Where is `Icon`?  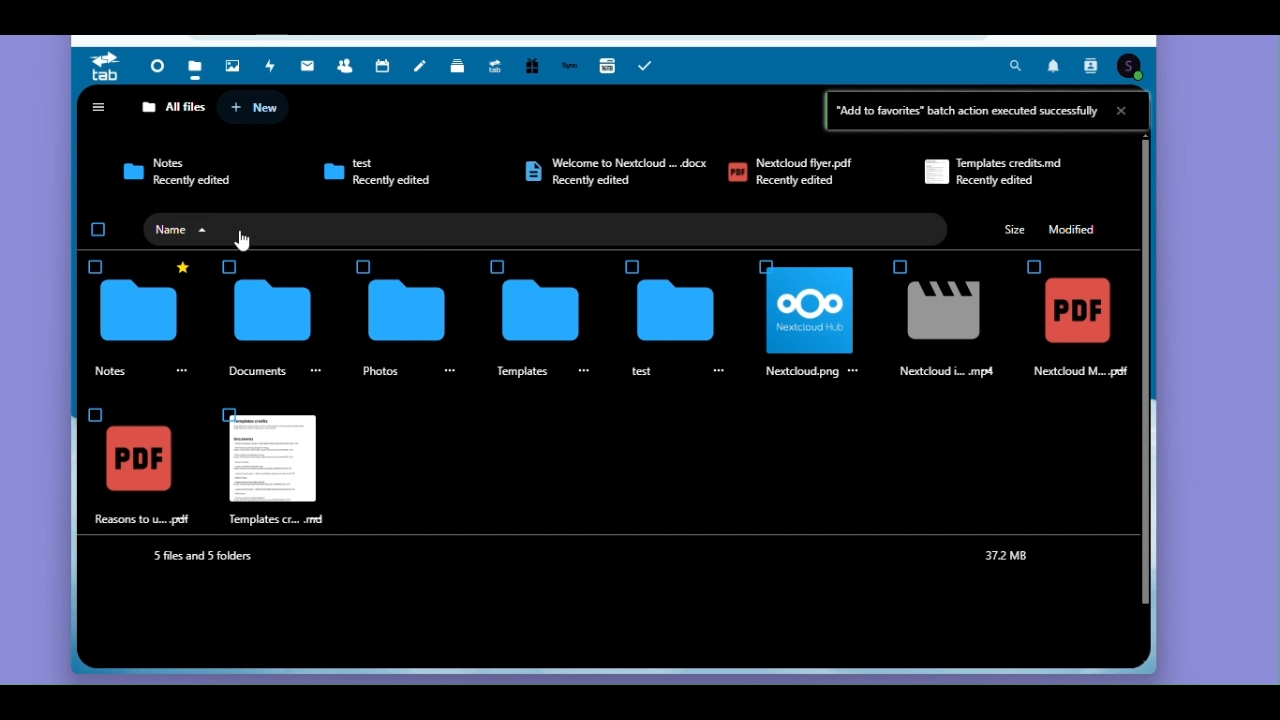 Icon is located at coordinates (272, 461).